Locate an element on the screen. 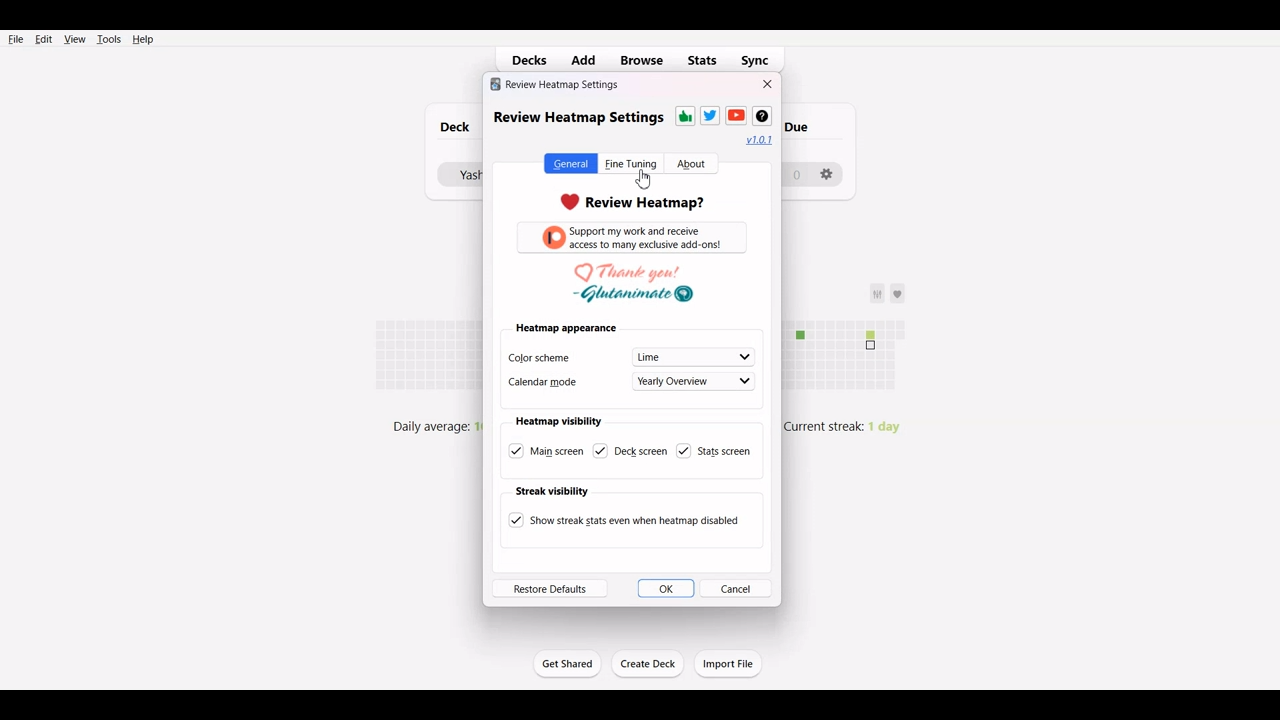  File is located at coordinates (16, 38).